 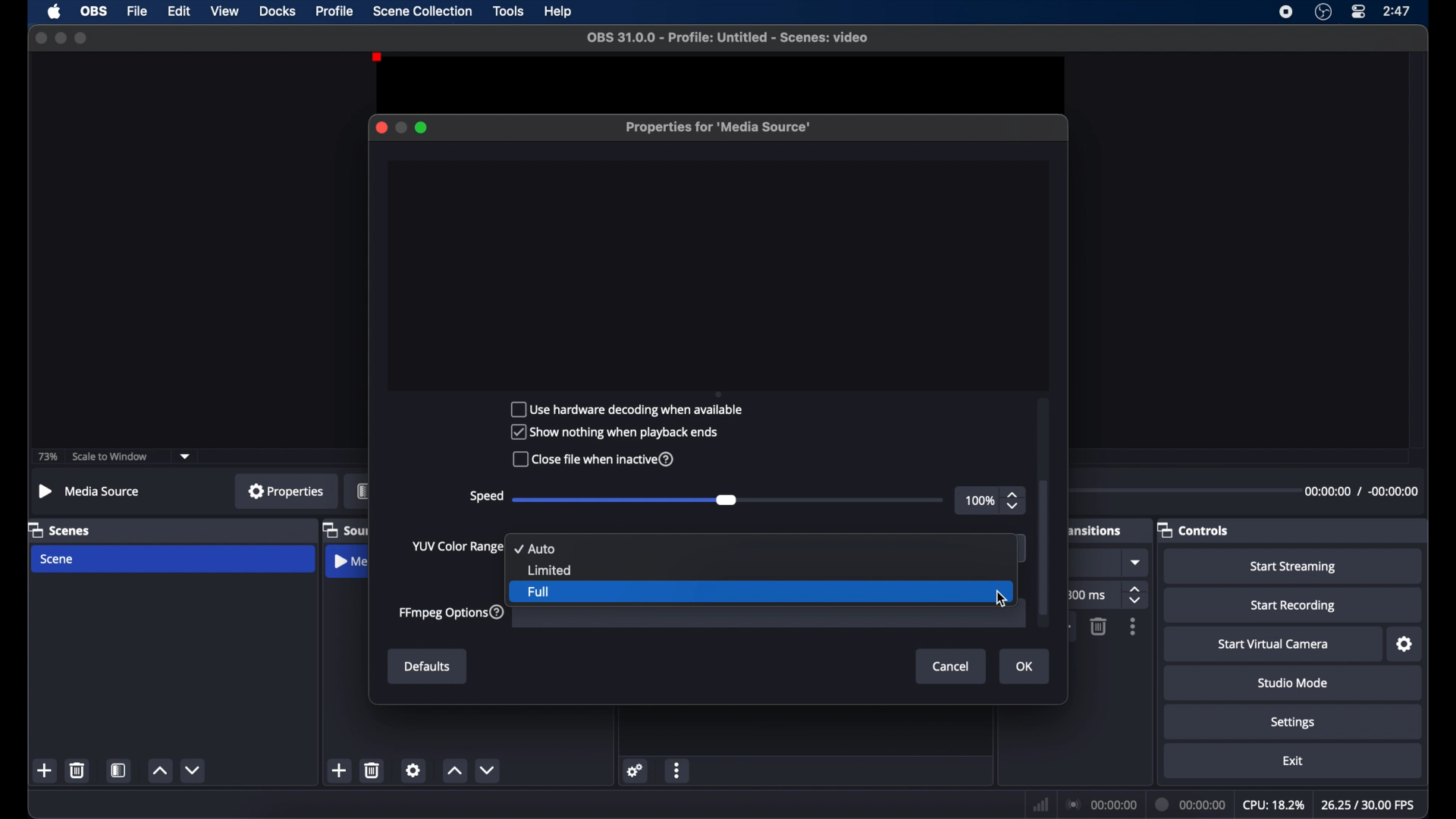 I want to click on decrement button, so click(x=194, y=769).